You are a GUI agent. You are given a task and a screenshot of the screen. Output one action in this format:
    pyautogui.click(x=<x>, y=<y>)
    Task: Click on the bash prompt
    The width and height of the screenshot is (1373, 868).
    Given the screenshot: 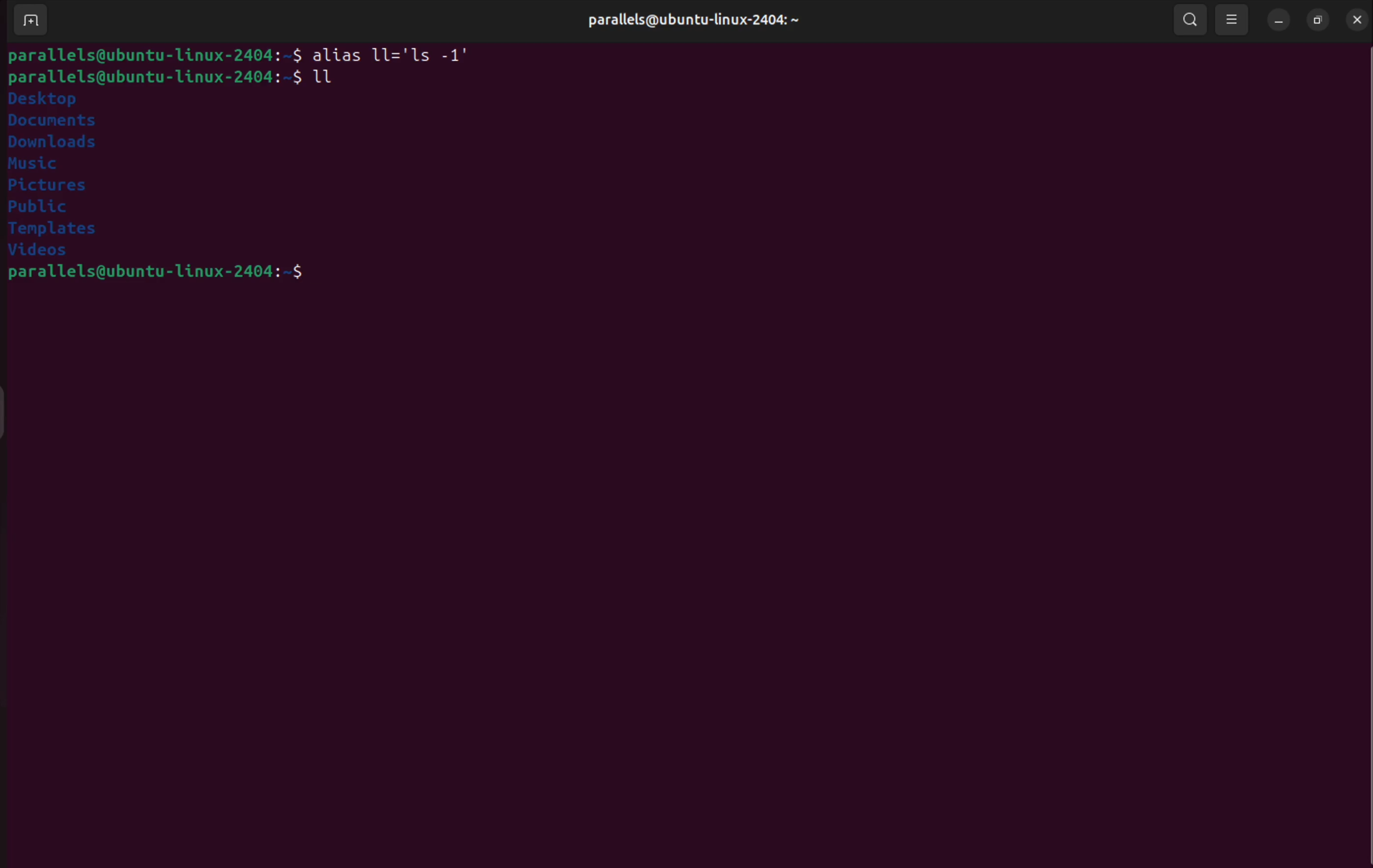 What is the action you would take?
    pyautogui.click(x=152, y=77)
    